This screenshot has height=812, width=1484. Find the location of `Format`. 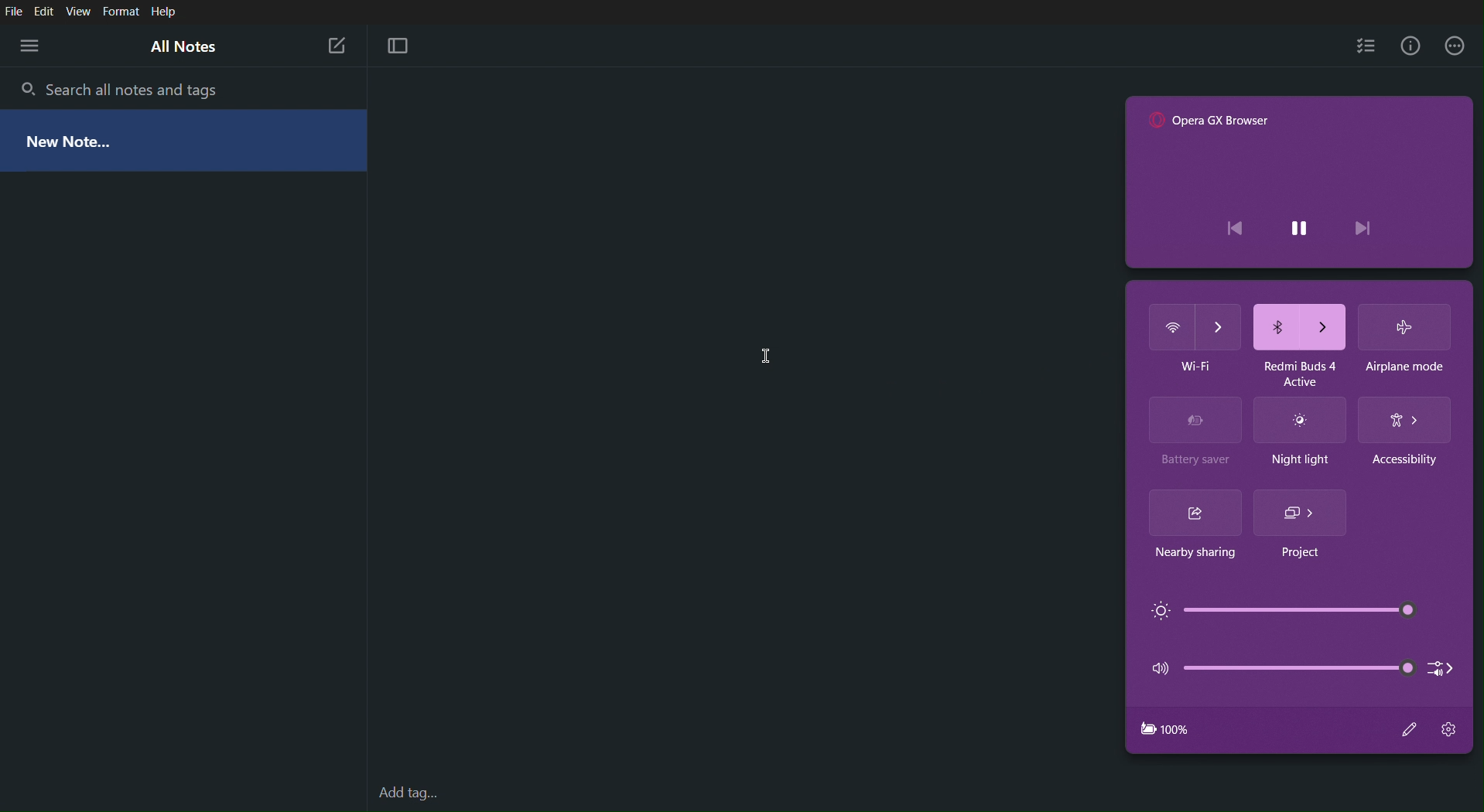

Format is located at coordinates (119, 12).